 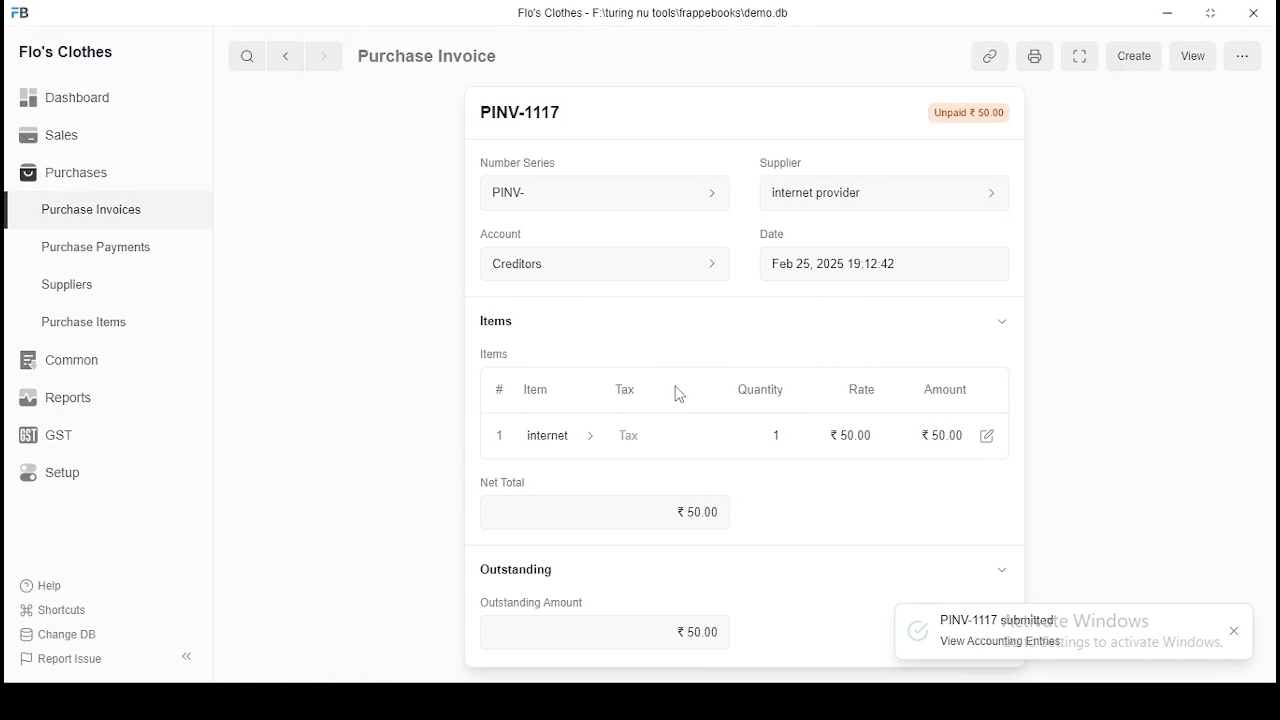 I want to click on Shortcuts, so click(x=61, y=610).